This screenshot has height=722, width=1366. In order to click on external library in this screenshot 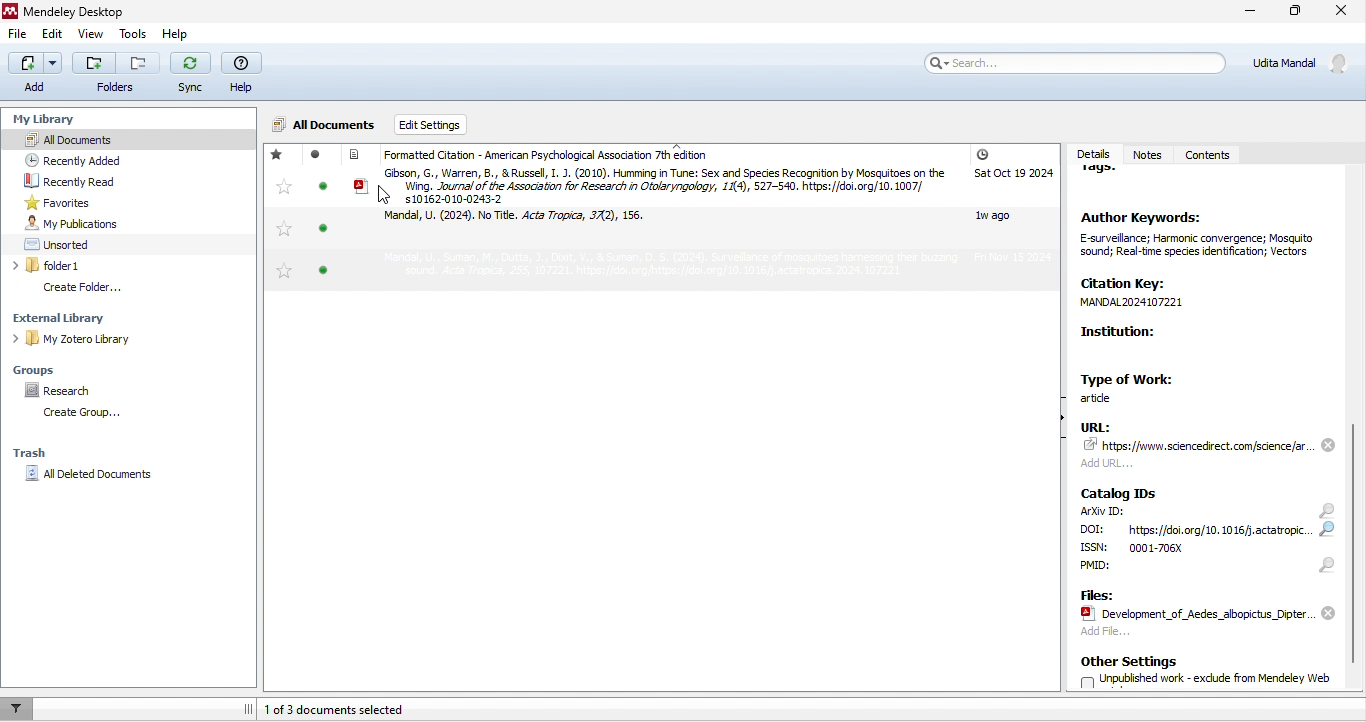, I will do `click(108, 317)`.